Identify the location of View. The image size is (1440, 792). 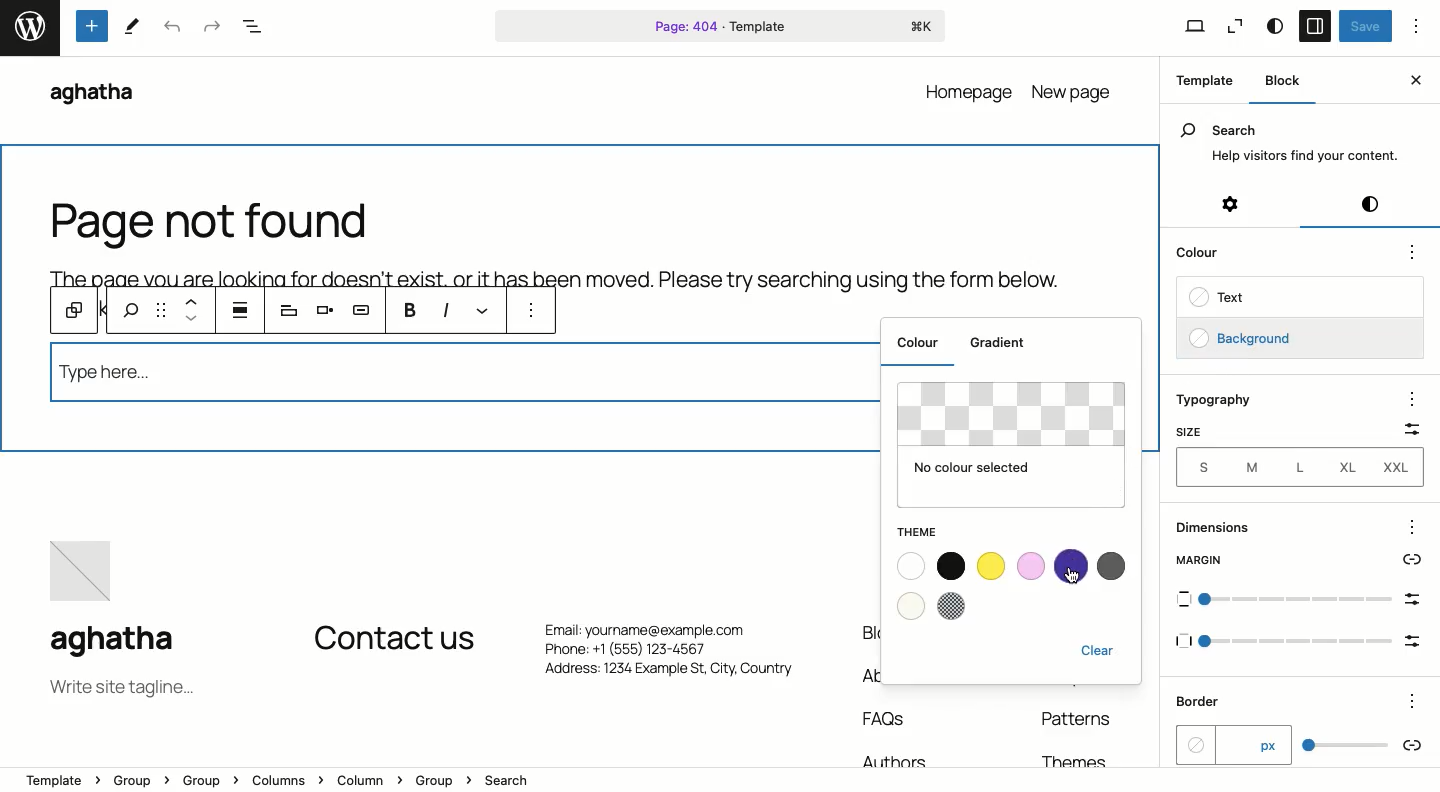
(1184, 25).